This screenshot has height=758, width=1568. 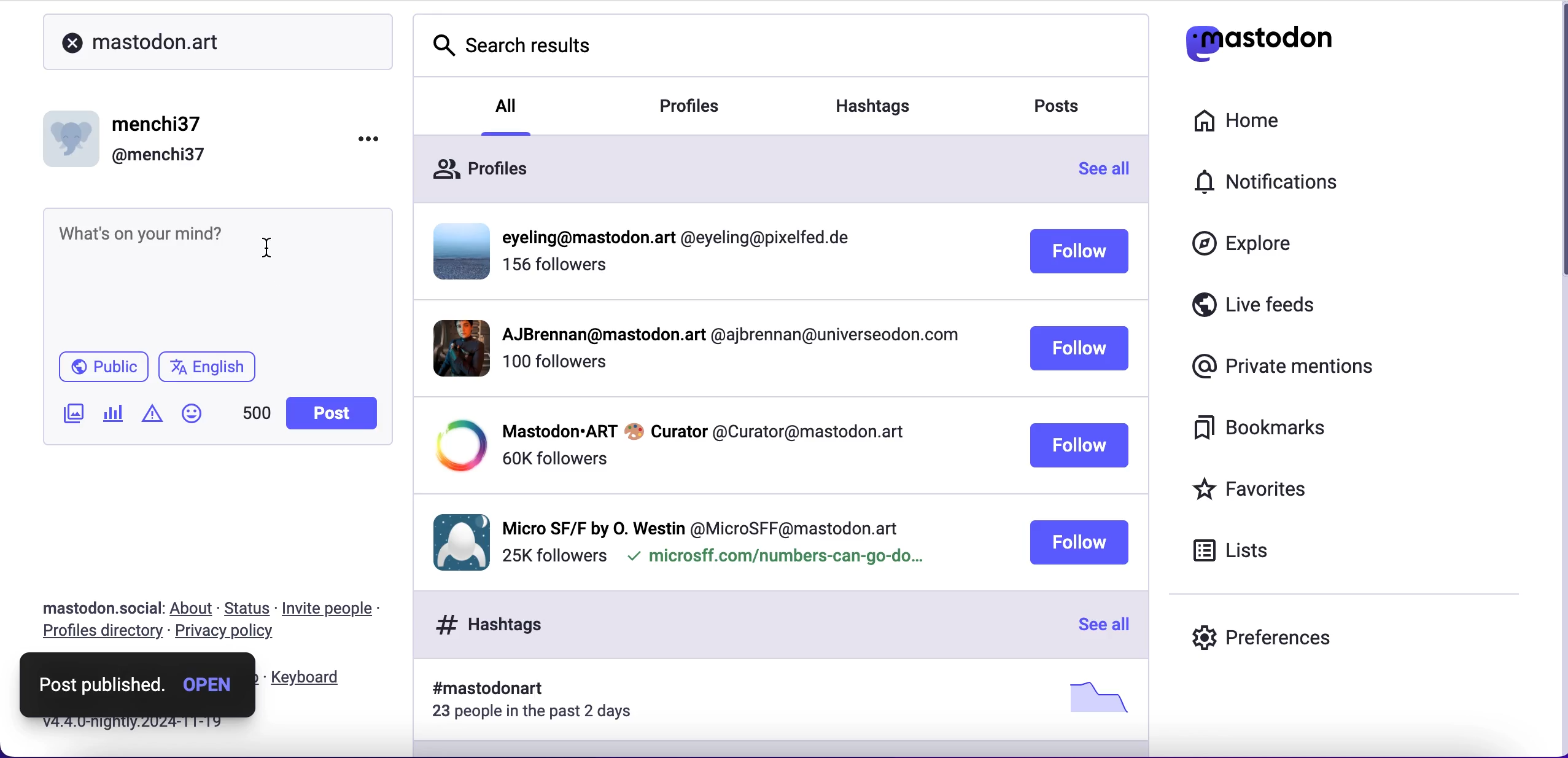 I want to click on display picture, so click(x=457, y=249).